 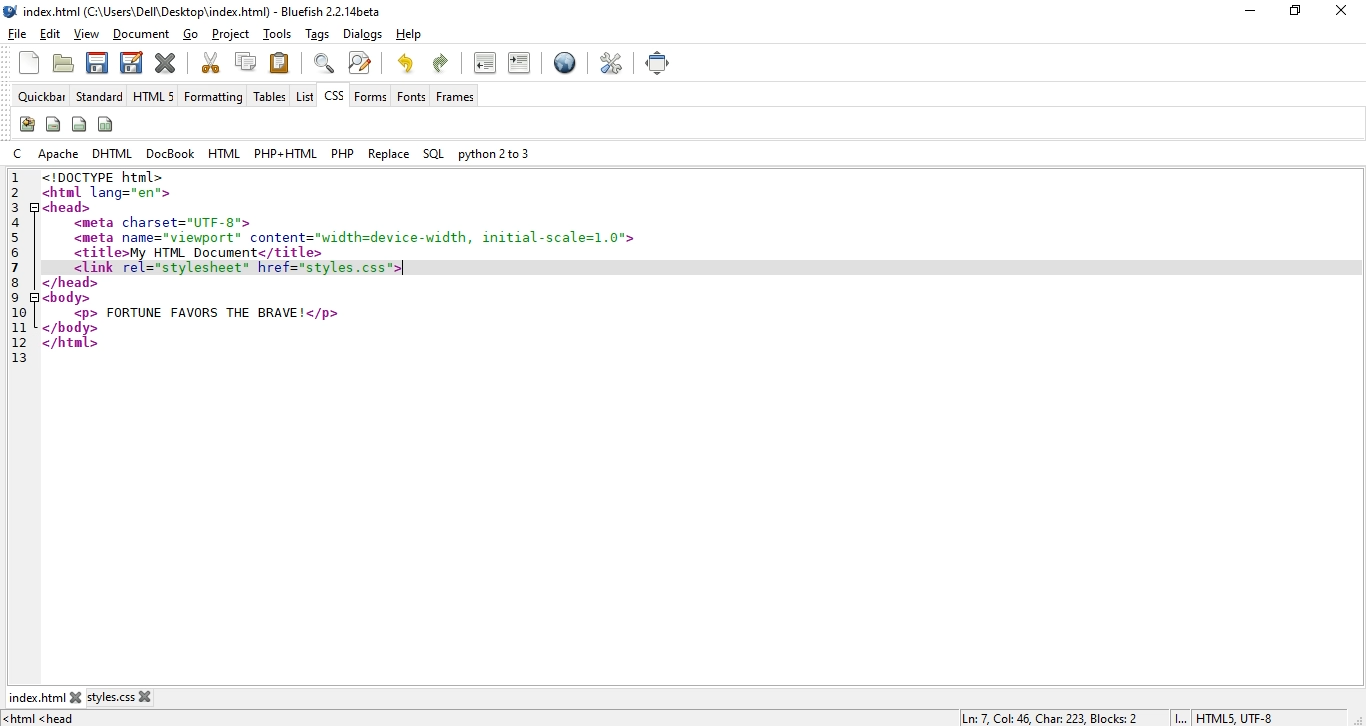 What do you see at coordinates (16, 281) in the screenshot?
I see `8` at bounding box center [16, 281].